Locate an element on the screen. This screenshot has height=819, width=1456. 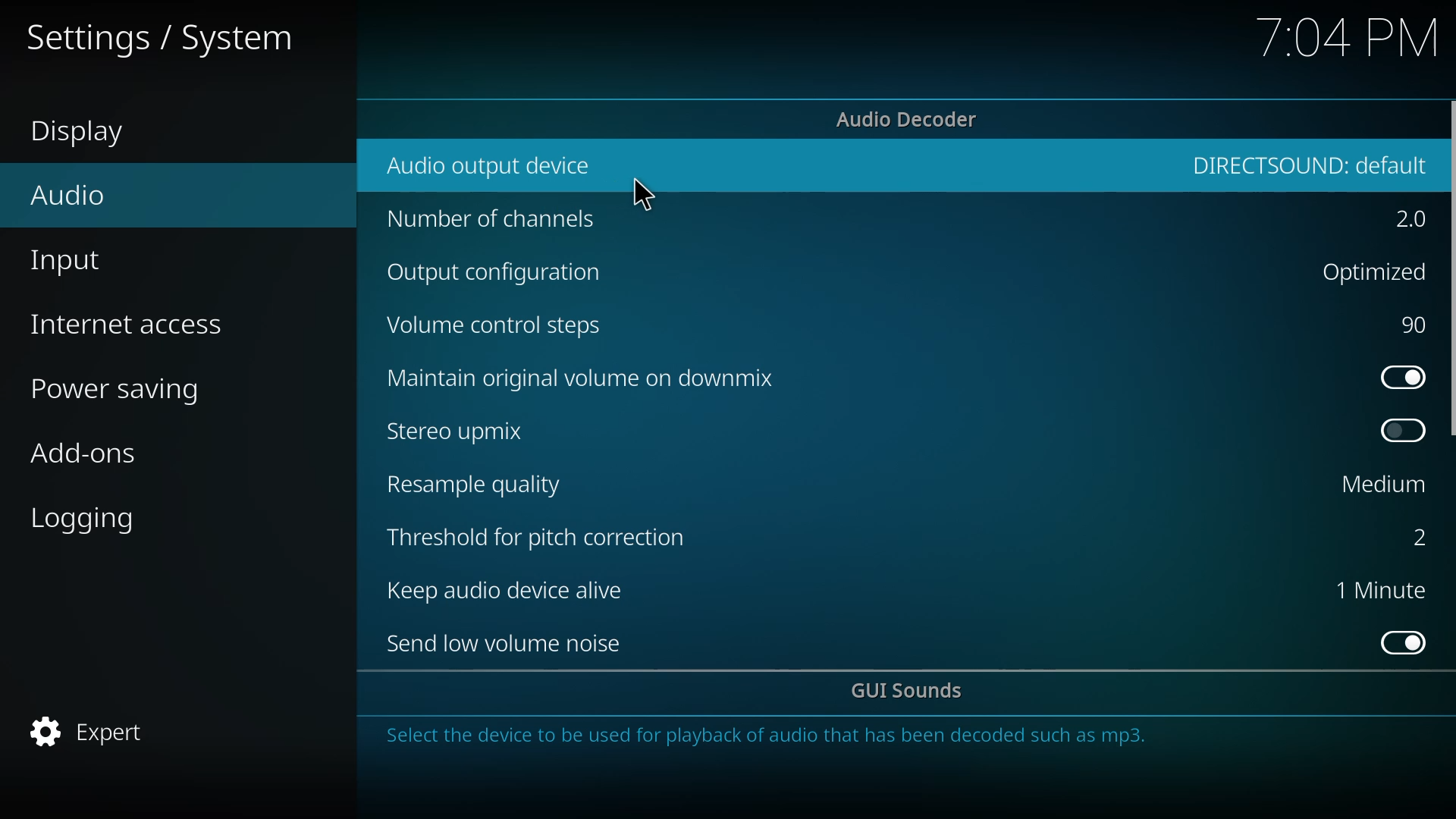
cursor is located at coordinates (644, 196).